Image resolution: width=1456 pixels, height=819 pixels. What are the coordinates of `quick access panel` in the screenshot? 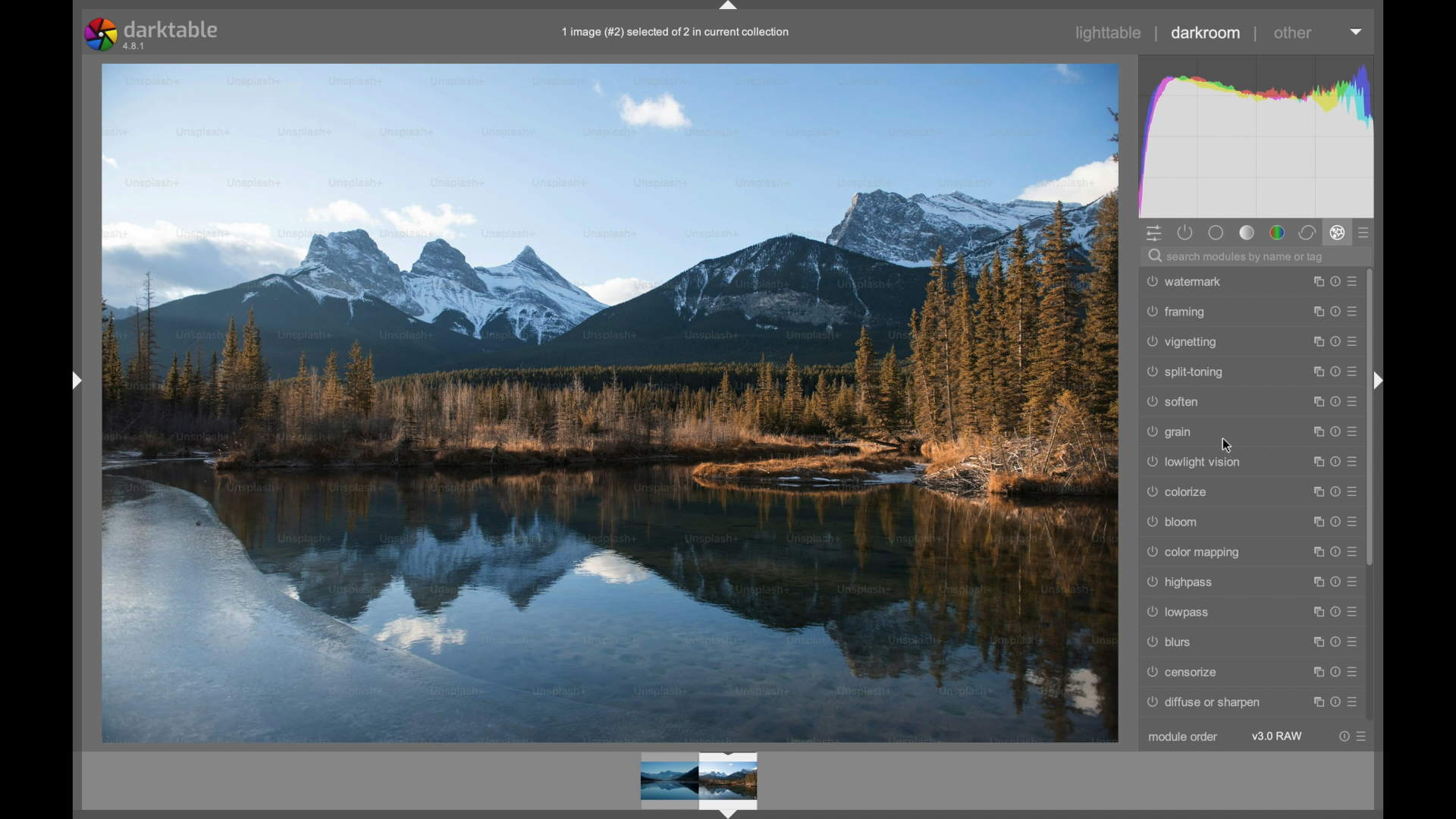 It's located at (1154, 234).